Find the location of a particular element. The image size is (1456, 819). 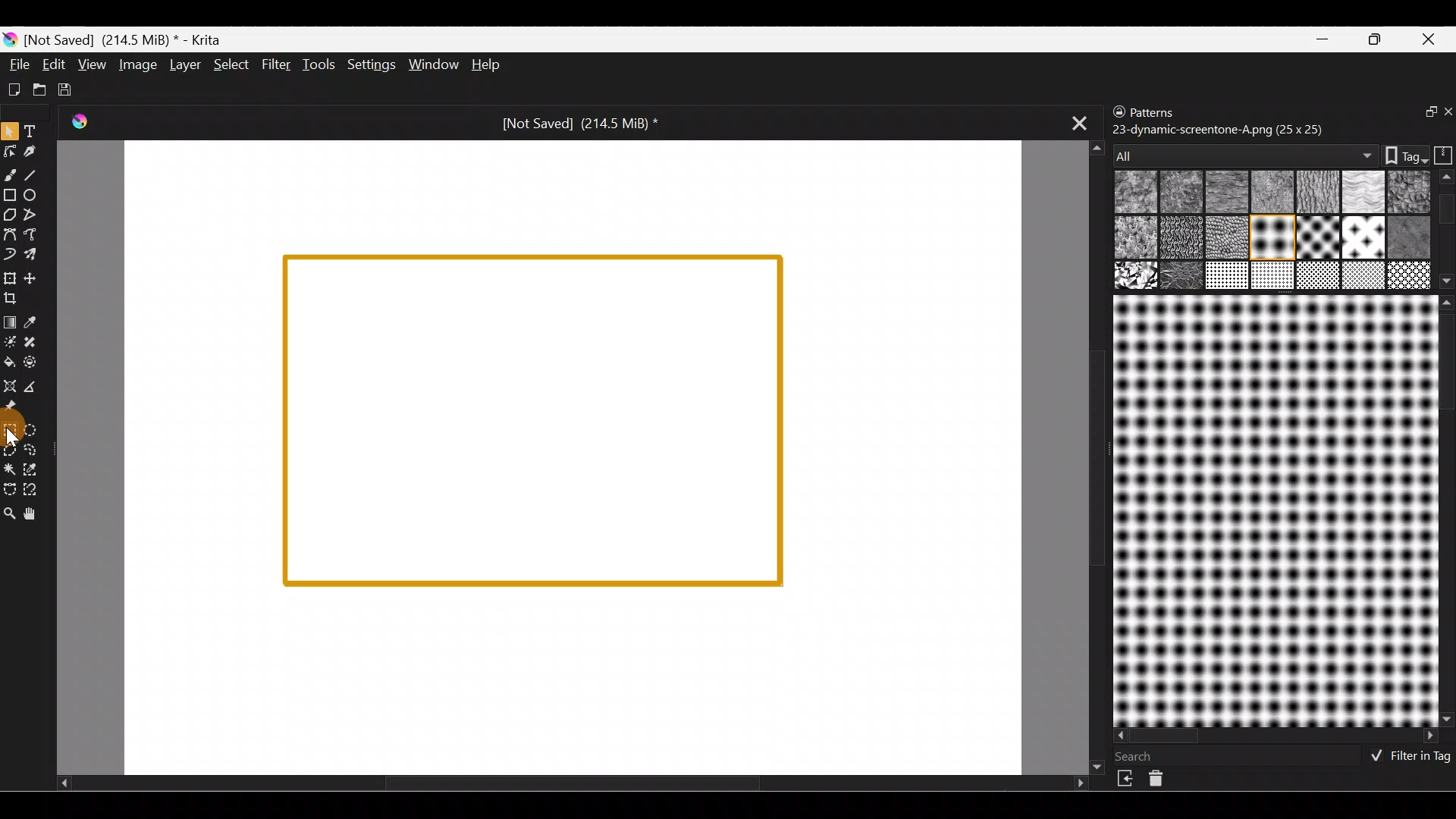

Tools is located at coordinates (318, 66).